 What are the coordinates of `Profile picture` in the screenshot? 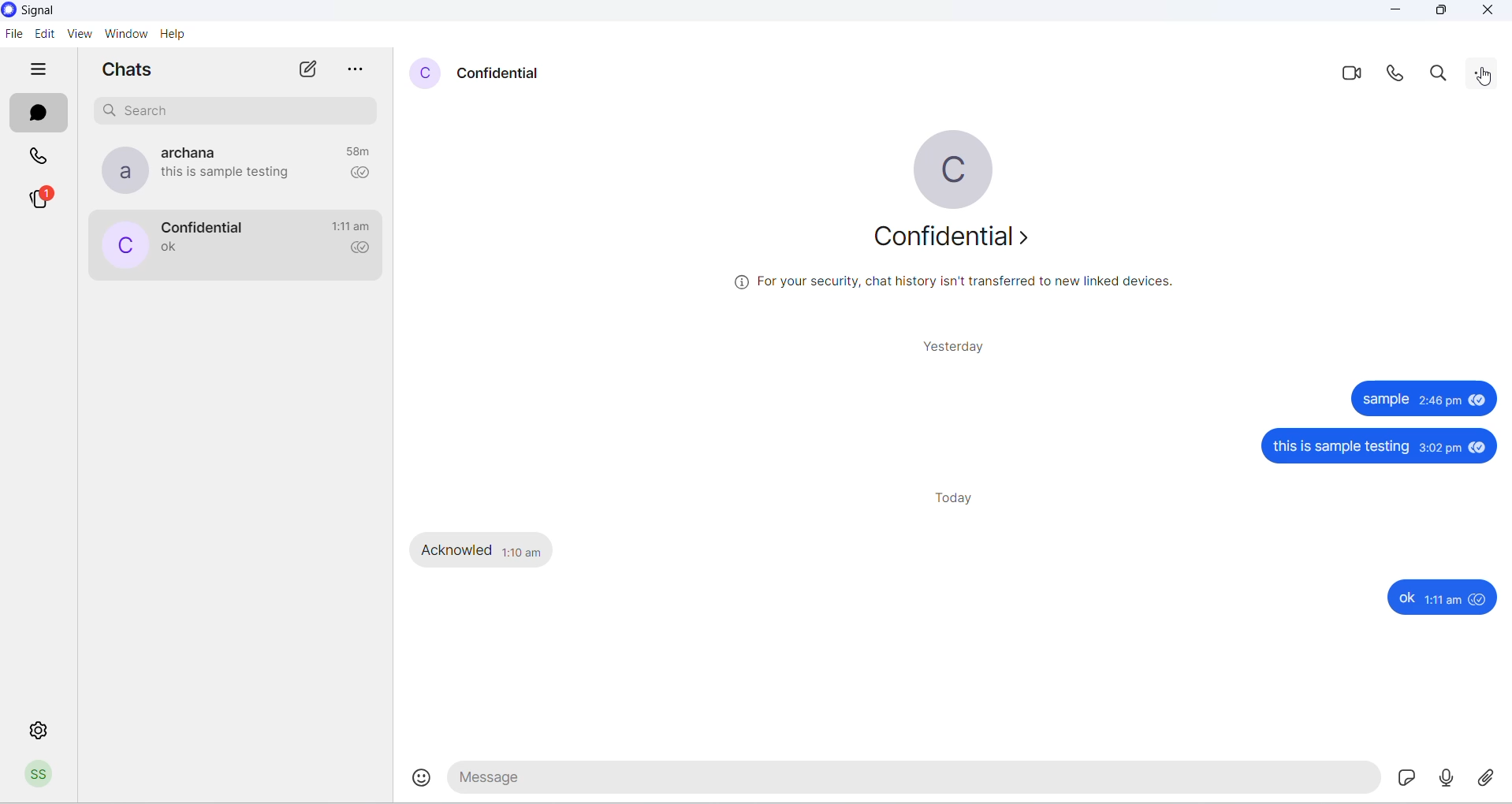 It's located at (42, 777).